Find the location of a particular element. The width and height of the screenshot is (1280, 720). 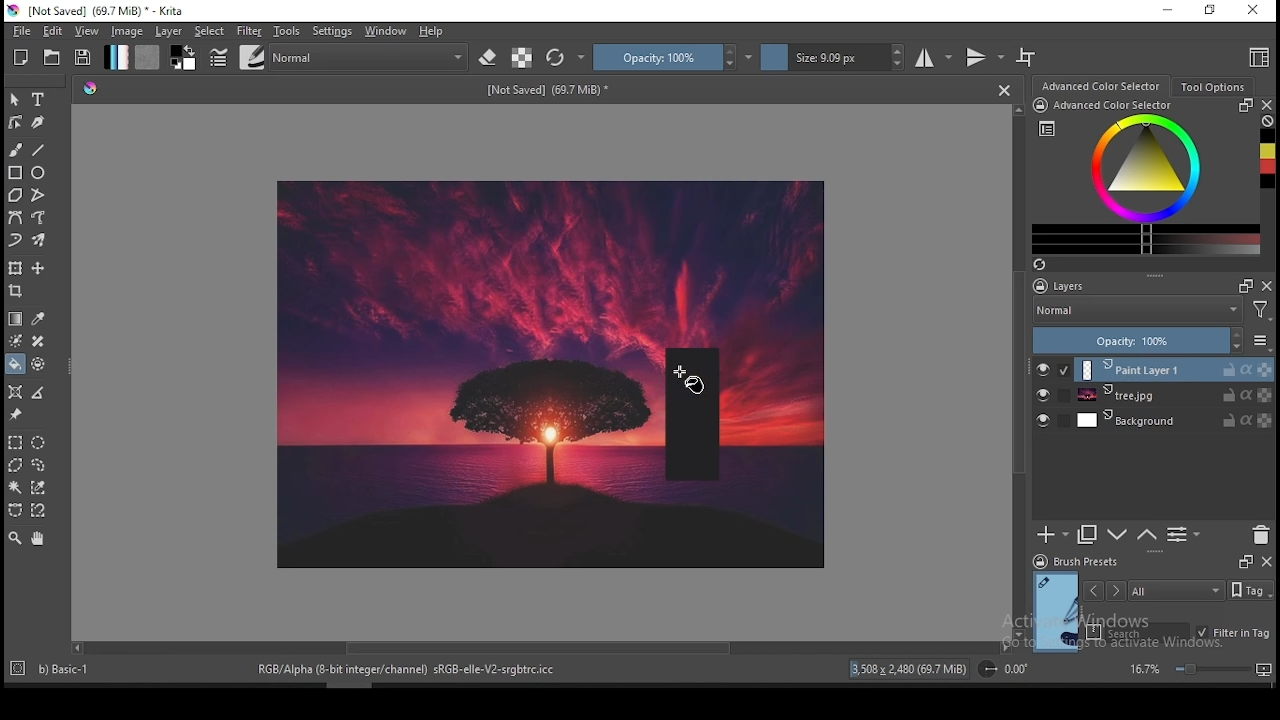

pattern fill is located at coordinates (148, 58).